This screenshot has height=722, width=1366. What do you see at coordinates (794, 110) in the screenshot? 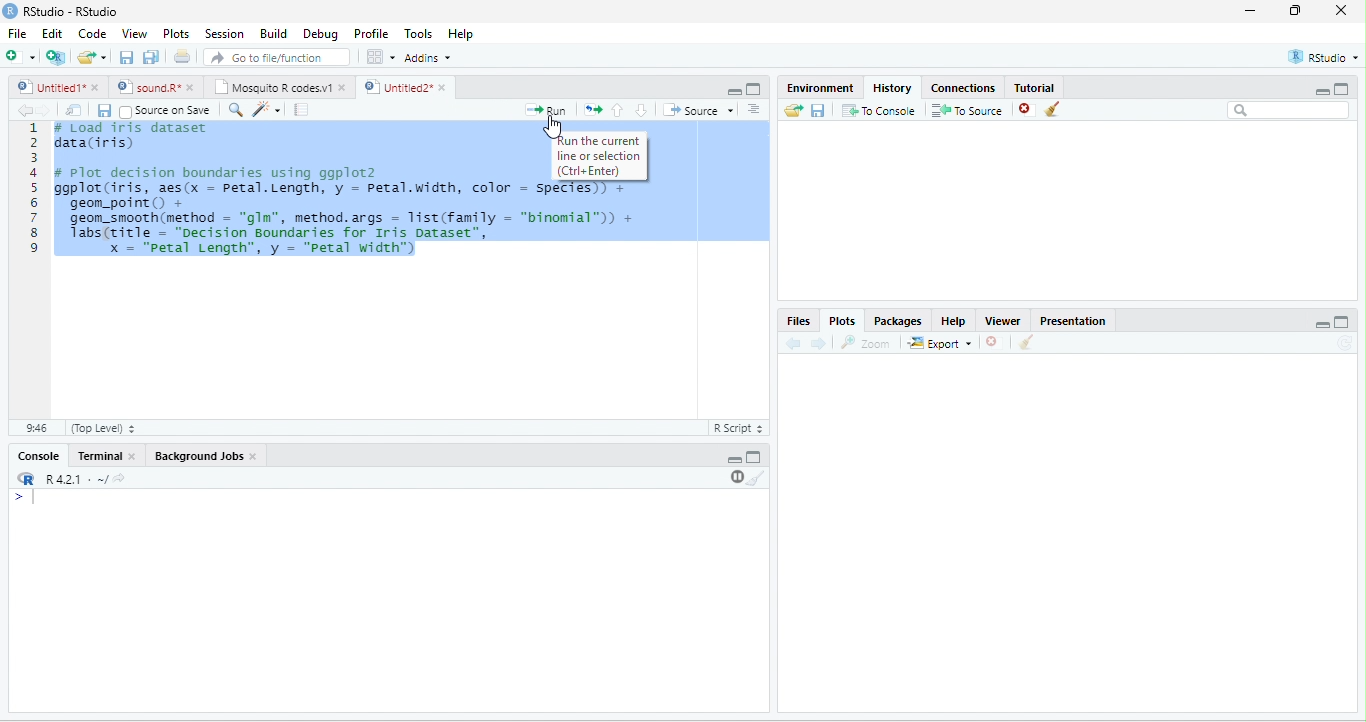
I see `open folder` at bounding box center [794, 110].